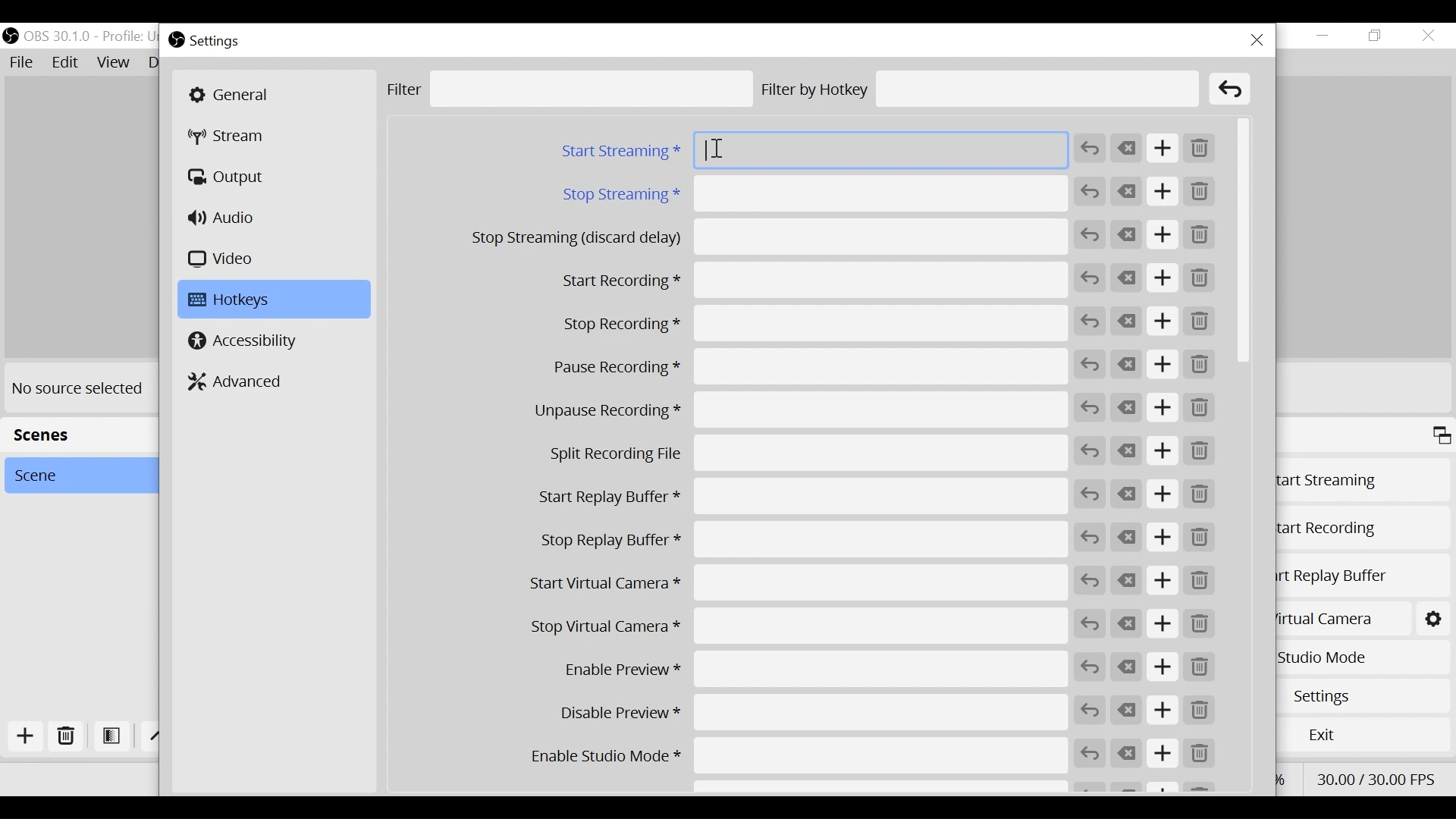  What do you see at coordinates (74, 475) in the screenshot?
I see `Scene ` at bounding box center [74, 475].